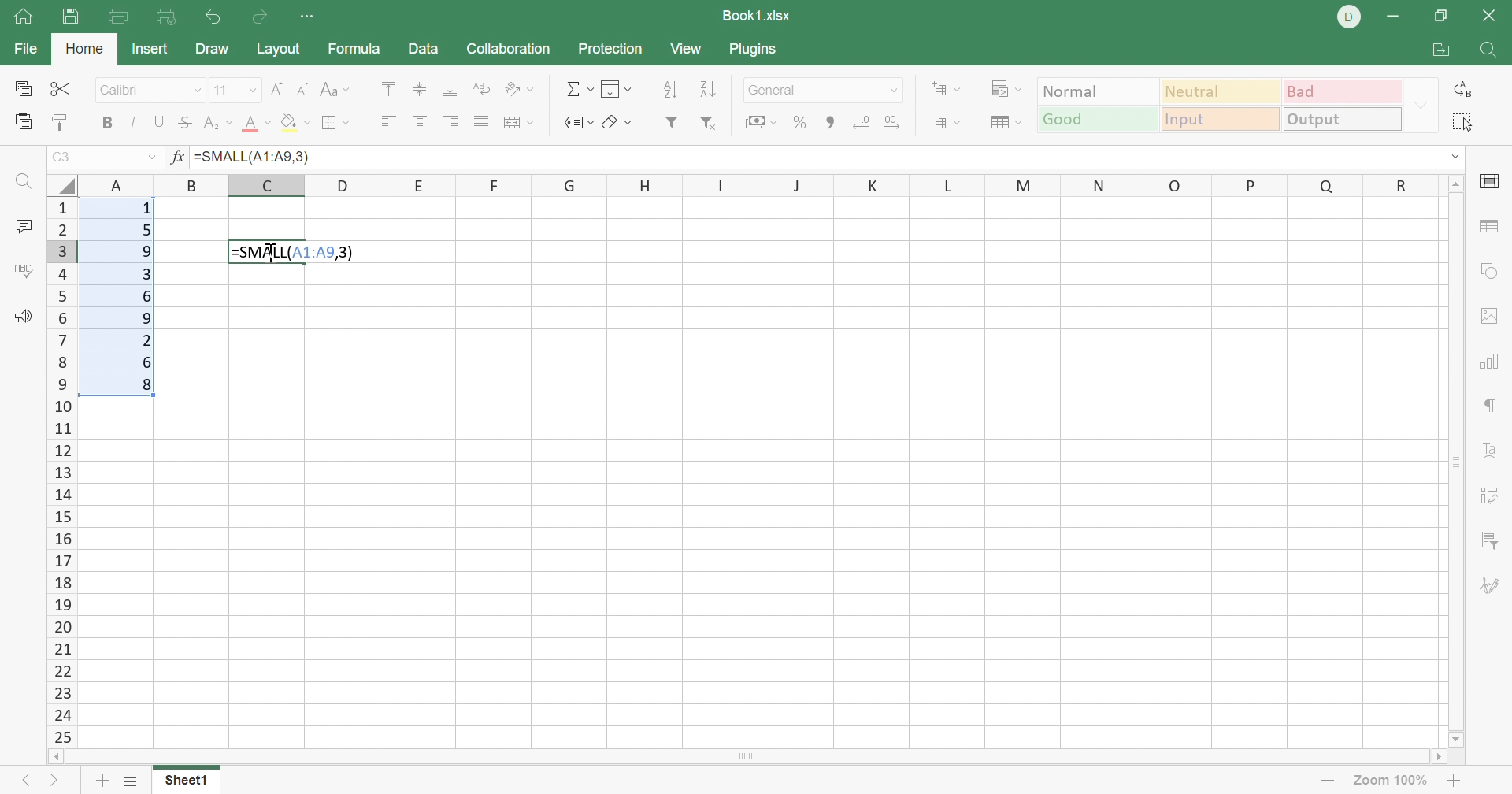 The image size is (1512, 794). What do you see at coordinates (1341, 118) in the screenshot?
I see `Output` at bounding box center [1341, 118].